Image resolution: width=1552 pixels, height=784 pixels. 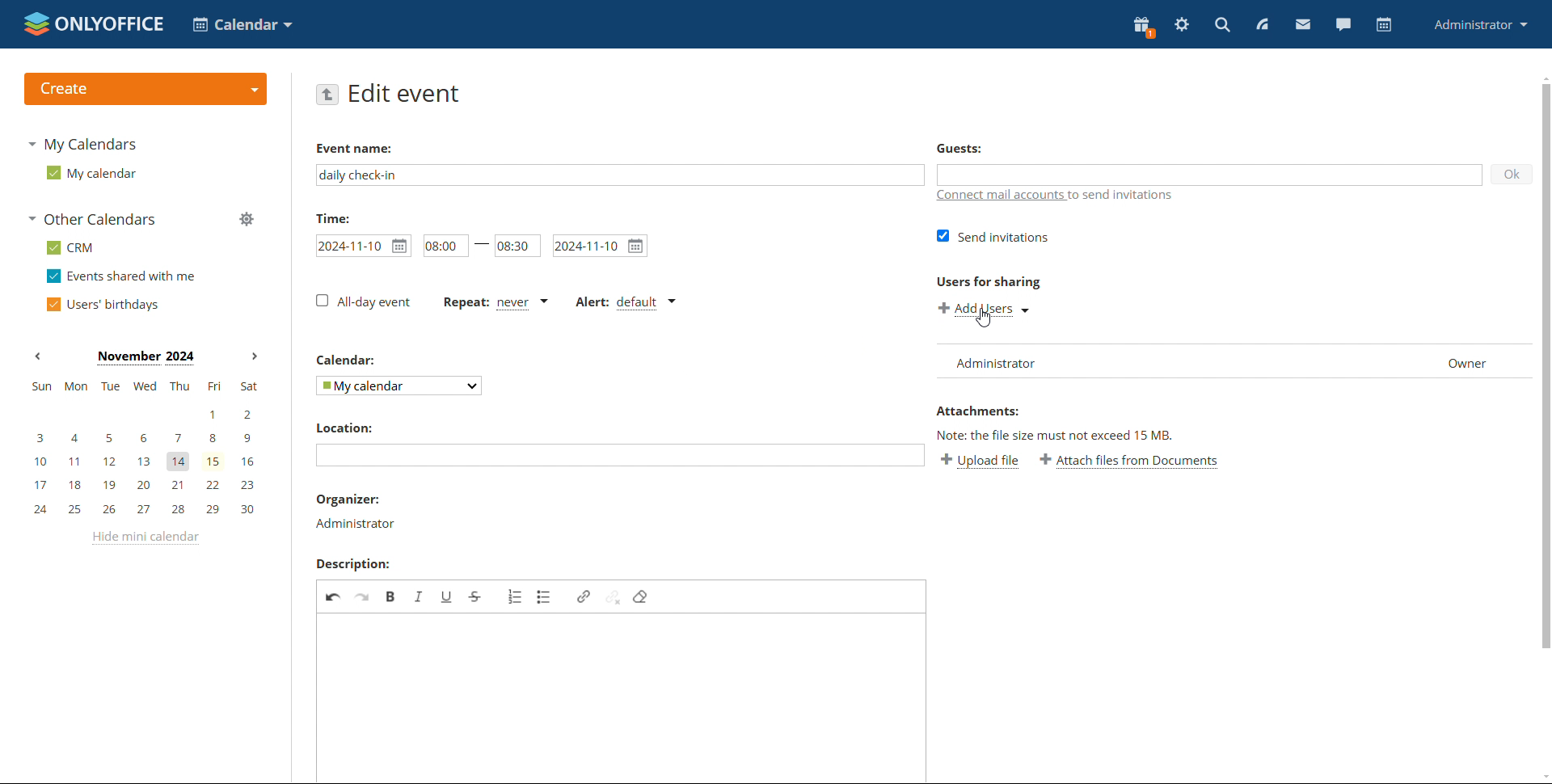 What do you see at coordinates (496, 304) in the screenshot?
I see `event repetition` at bounding box center [496, 304].